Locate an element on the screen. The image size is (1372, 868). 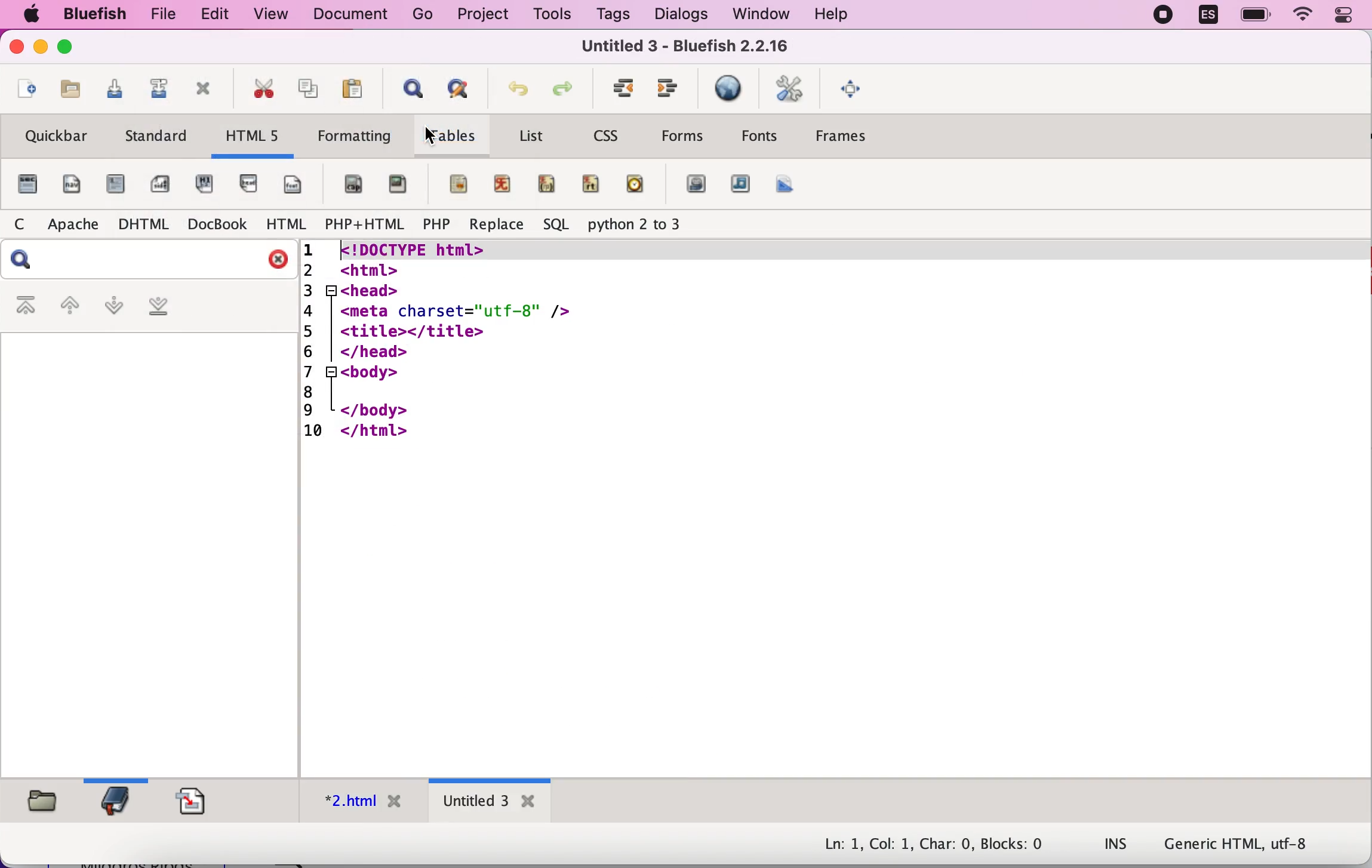
last bookmark is located at coordinates (168, 307).